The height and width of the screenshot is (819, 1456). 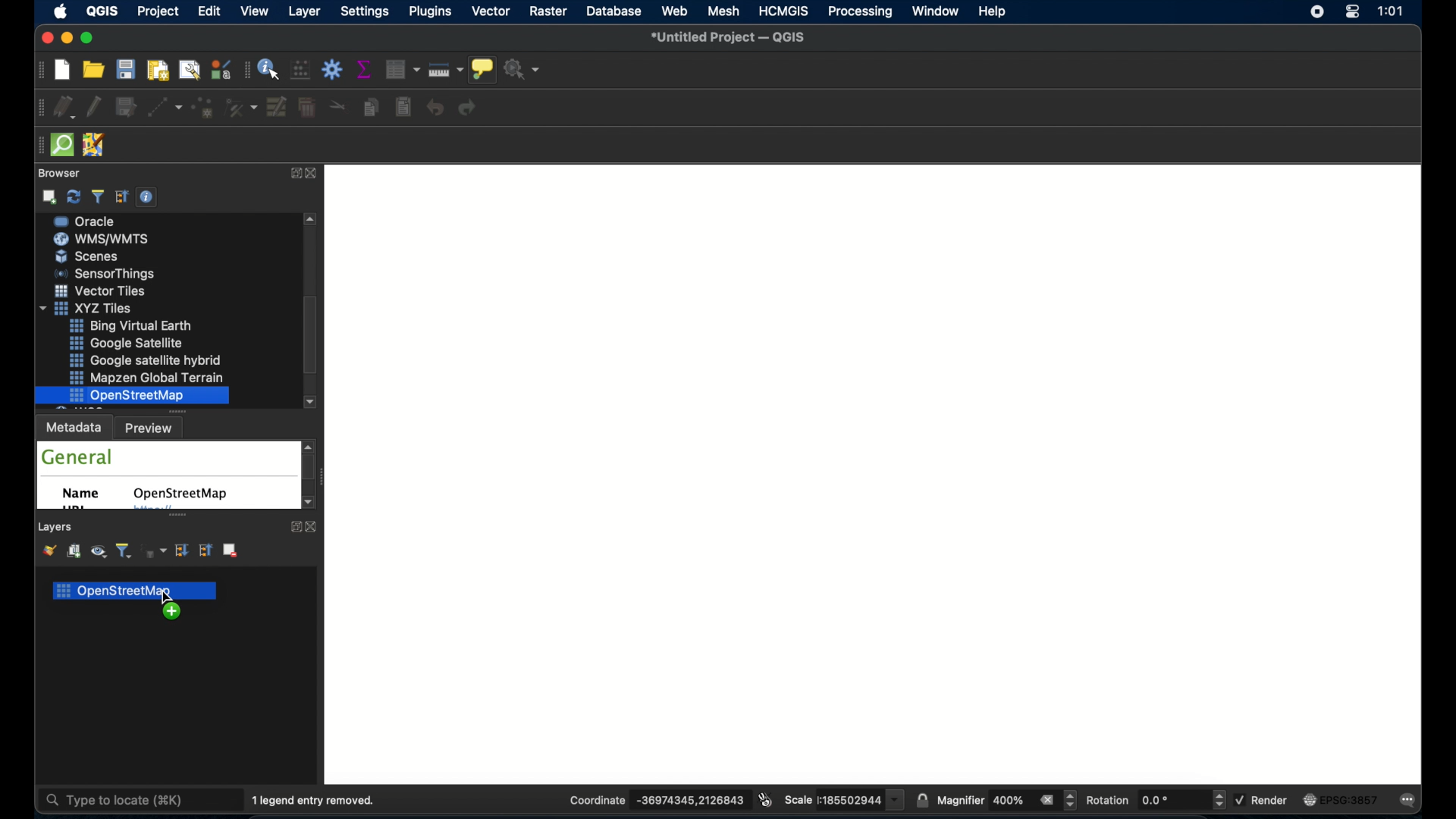 What do you see at coordinates (310, 504) in the screenshot?
I see `scroll down arrow` at bounding box center [310, 504].